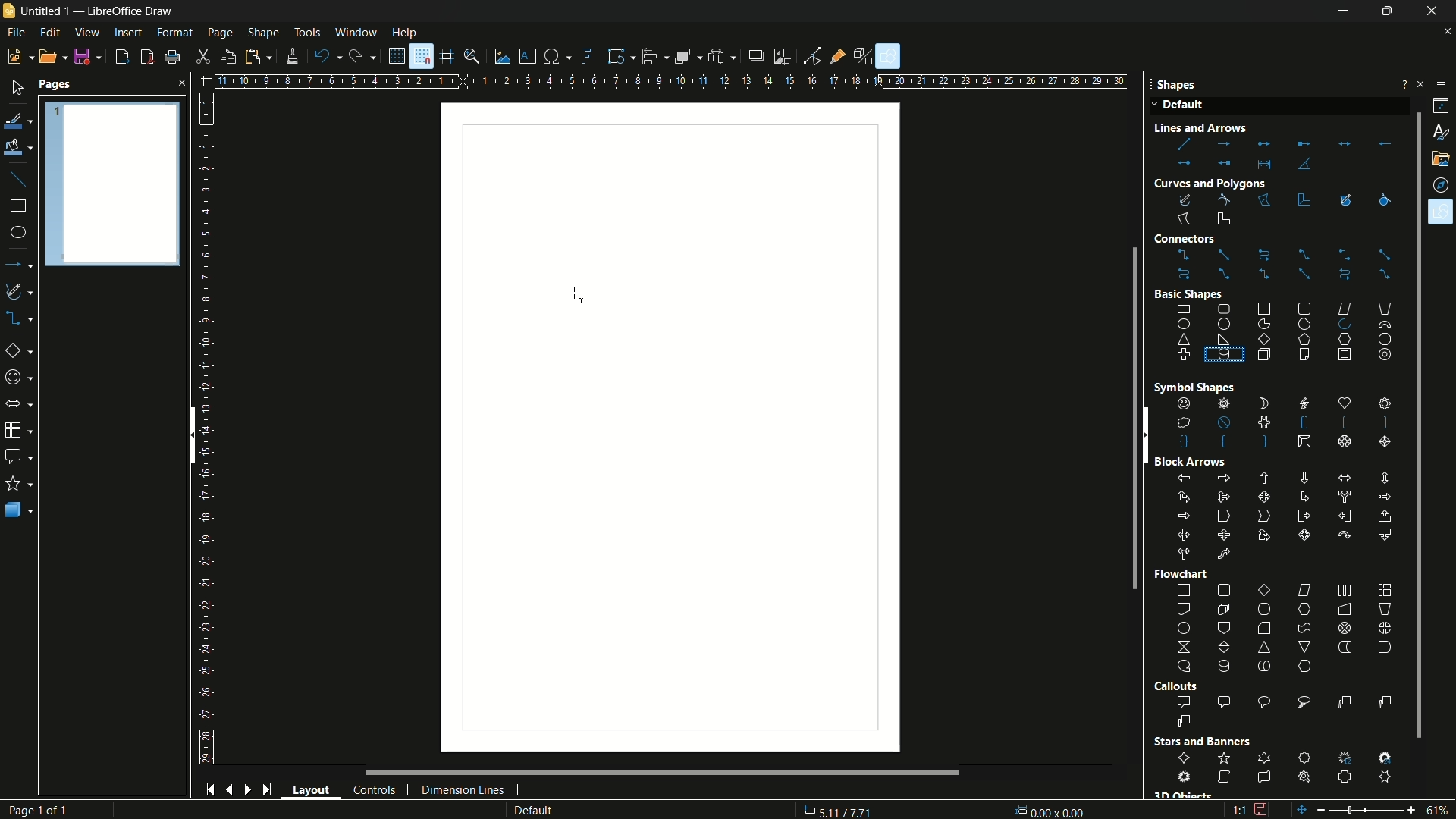 This screenshot has height=819, width=1456. What do you see at coordinates (312, 789) in the screenshot?
I see `layout` at bounding box center [312, 789].